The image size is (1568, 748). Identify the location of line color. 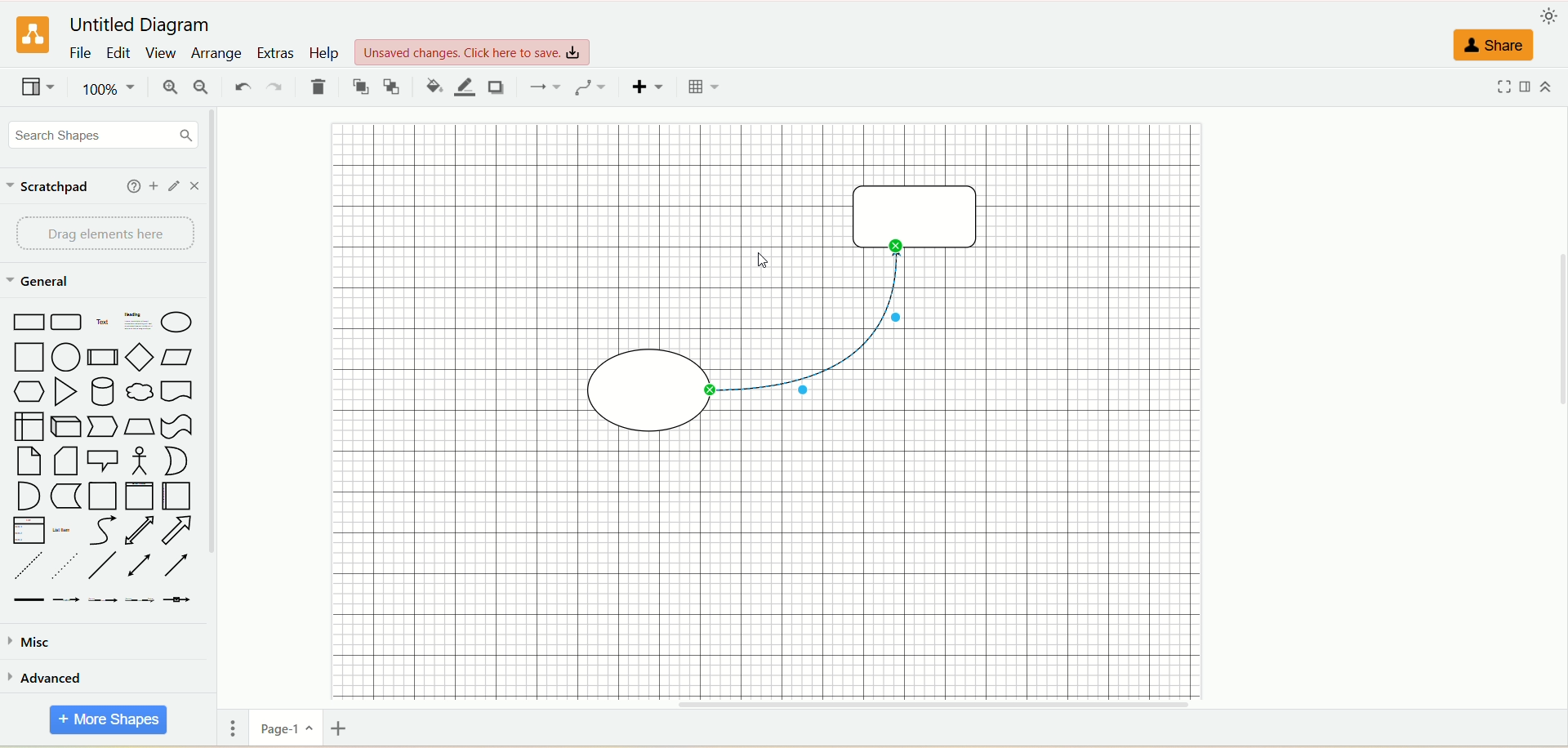
(465, 87).